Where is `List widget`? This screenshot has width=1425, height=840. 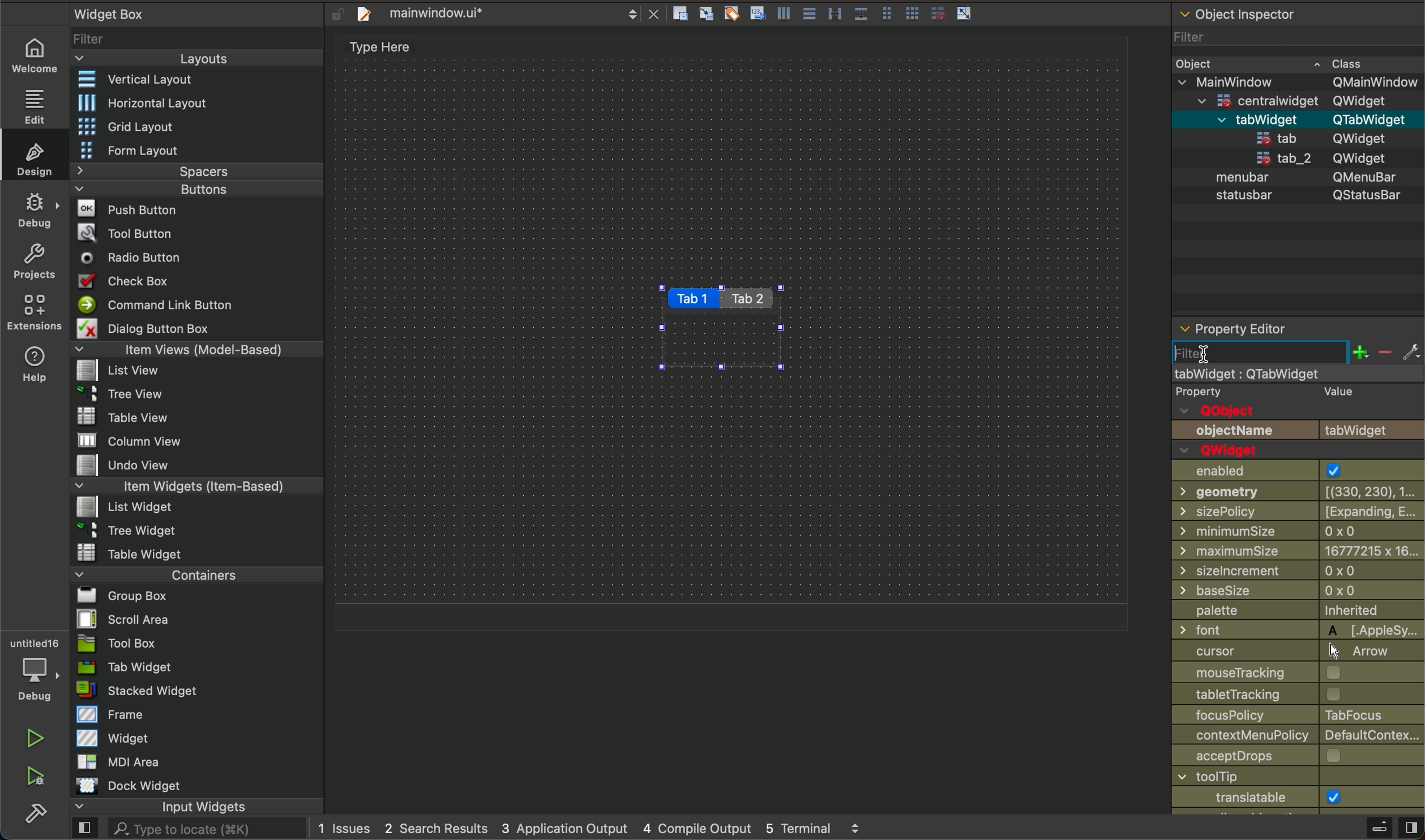 List widget is located at coordinates (119, 507).